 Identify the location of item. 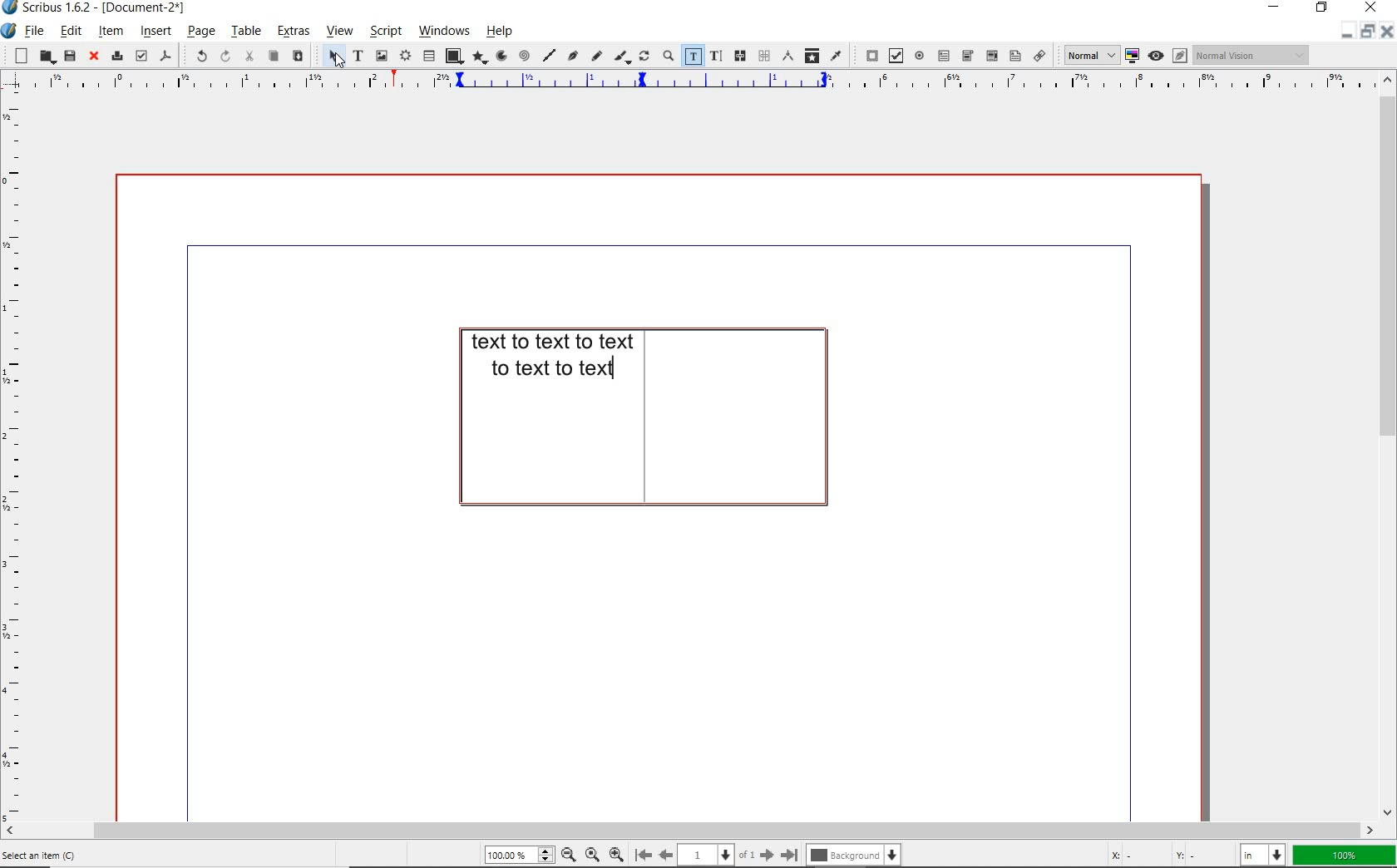
(113, 32).